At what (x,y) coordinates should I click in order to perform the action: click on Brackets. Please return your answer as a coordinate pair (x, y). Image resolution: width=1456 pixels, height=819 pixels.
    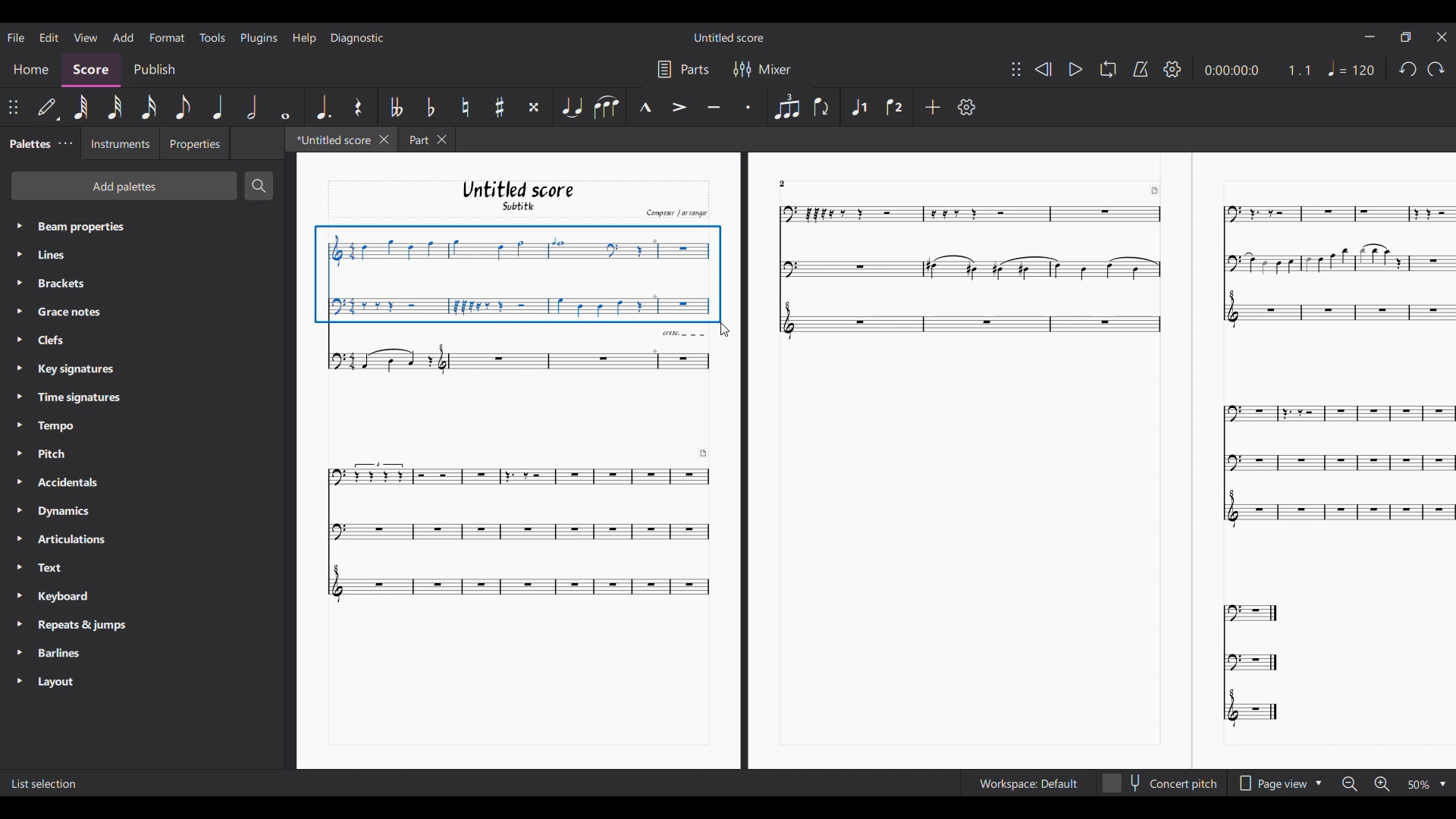
    Looking at the image, I should click on (71, 284).